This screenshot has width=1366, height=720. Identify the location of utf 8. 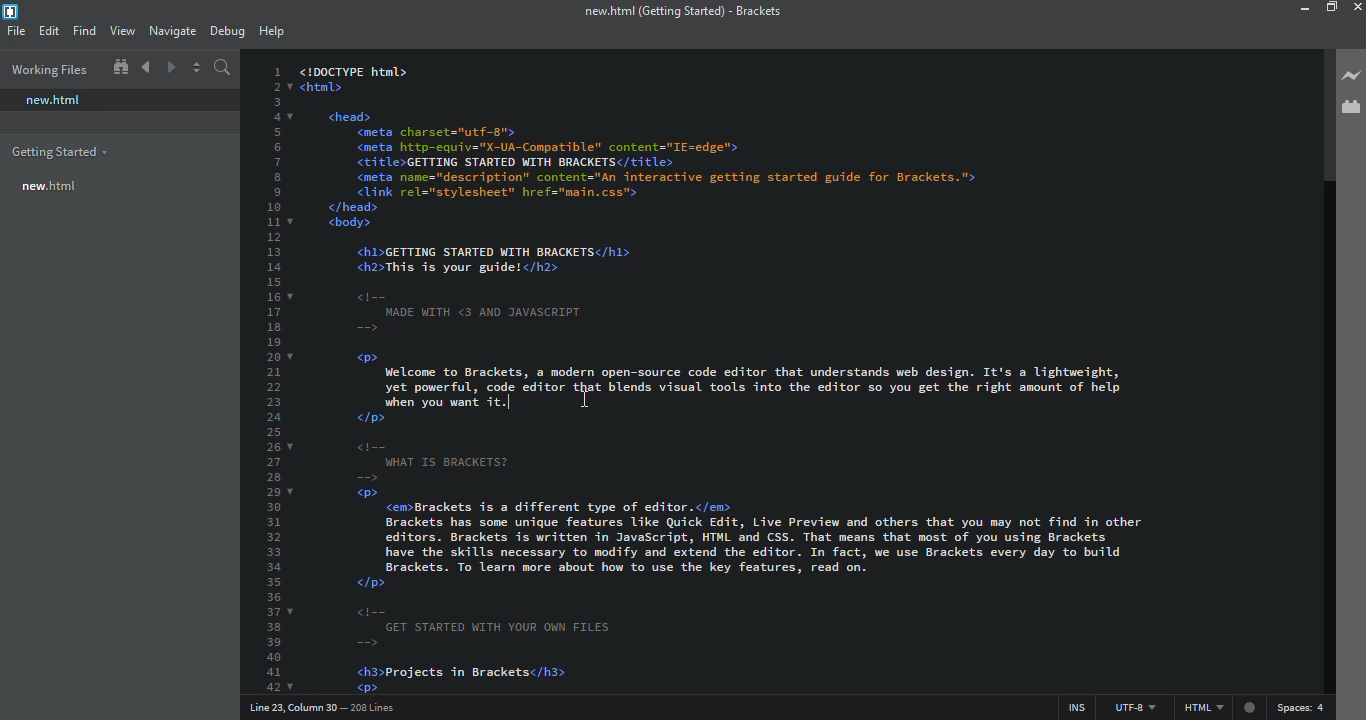
(1138, 707).